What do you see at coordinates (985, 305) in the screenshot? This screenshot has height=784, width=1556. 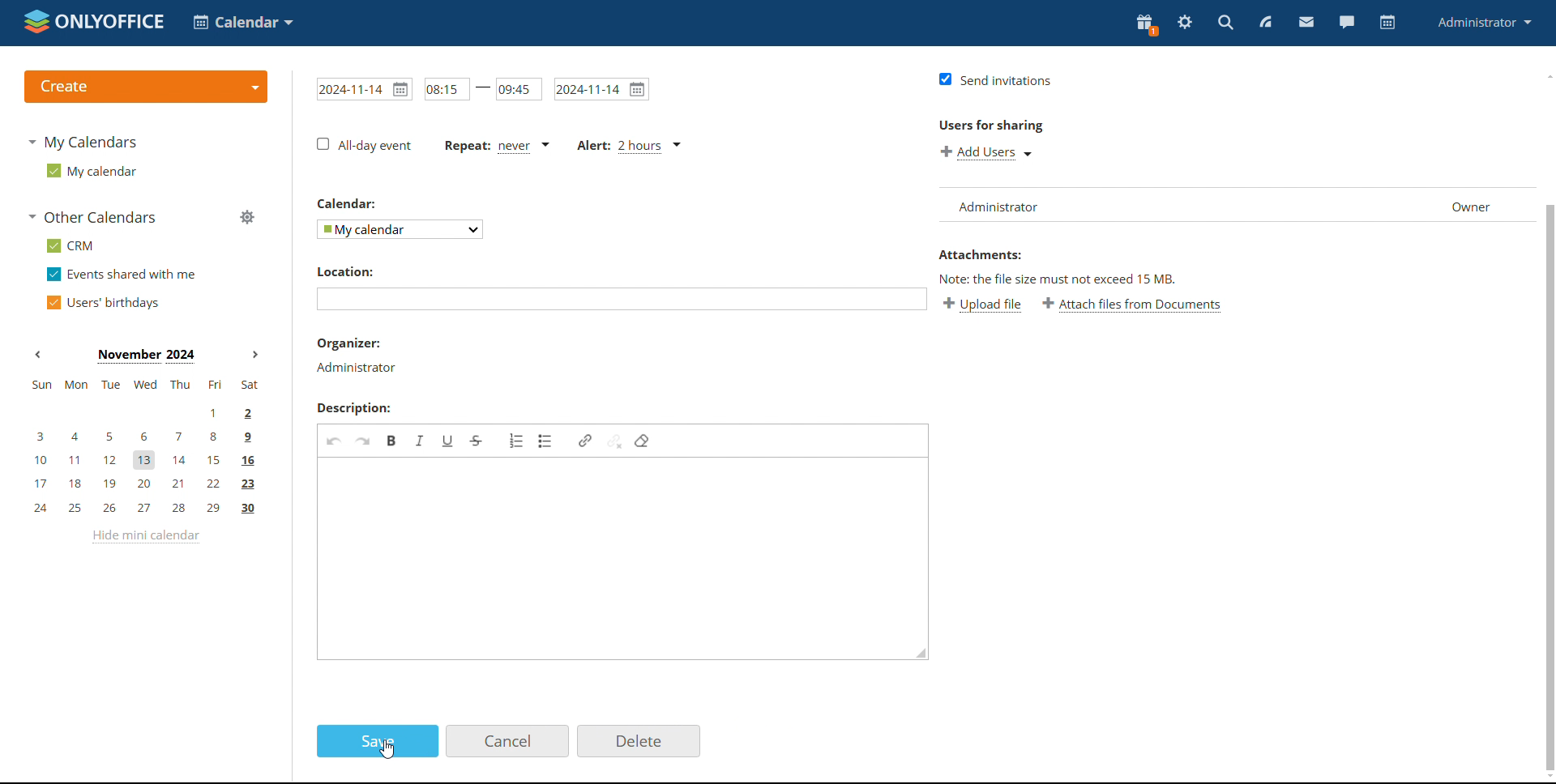 I see `upload file` at bounding box center [985, 305].